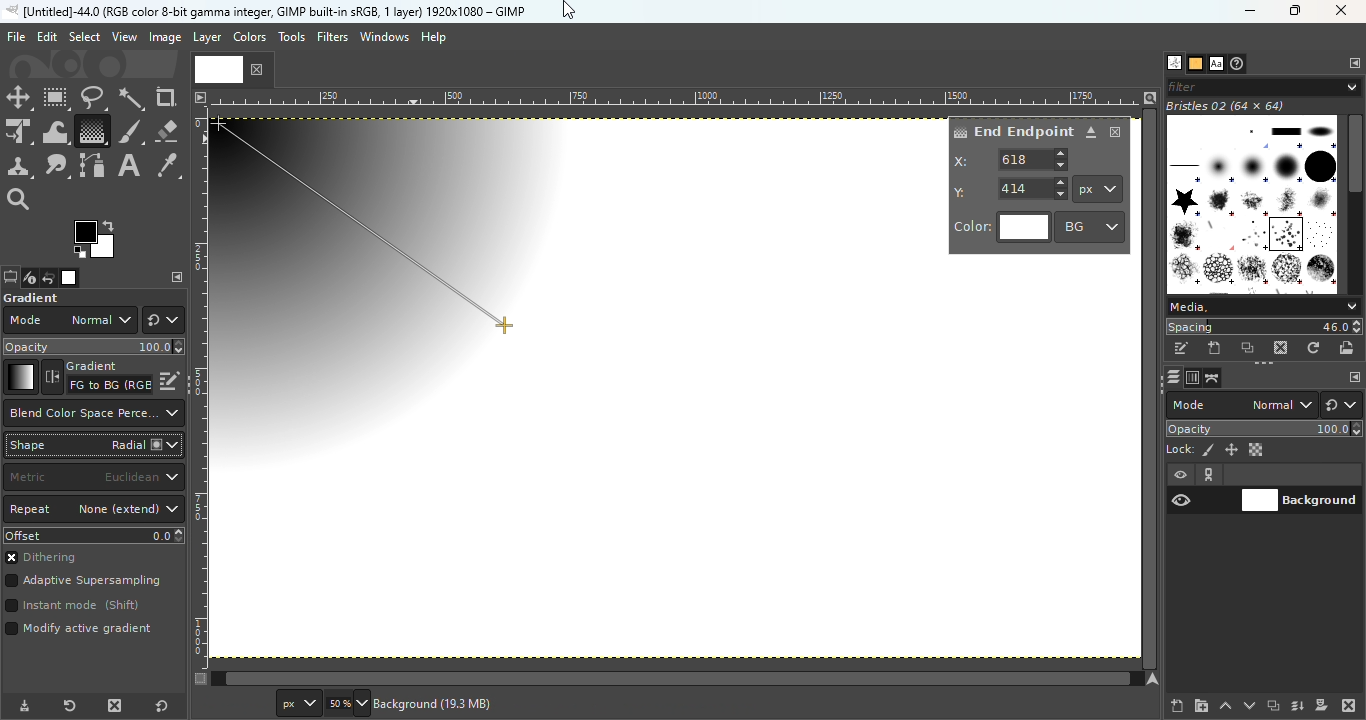  I want to click on Shape, so click(93, 445).